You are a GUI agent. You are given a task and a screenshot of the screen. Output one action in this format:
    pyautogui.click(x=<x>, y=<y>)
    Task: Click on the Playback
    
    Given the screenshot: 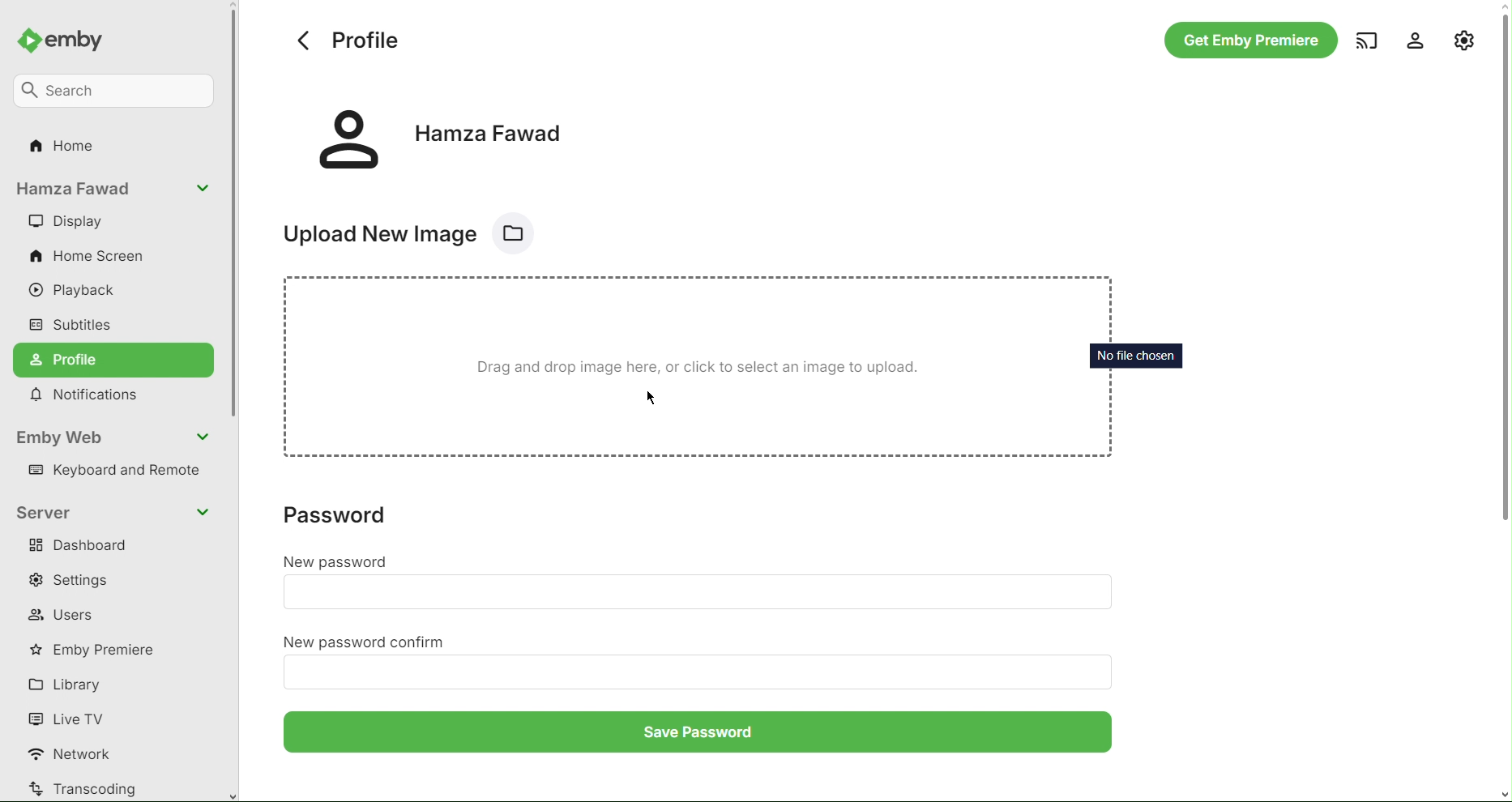 What is the action you would take?
    pyautogui.click(x=81, y=292)
    